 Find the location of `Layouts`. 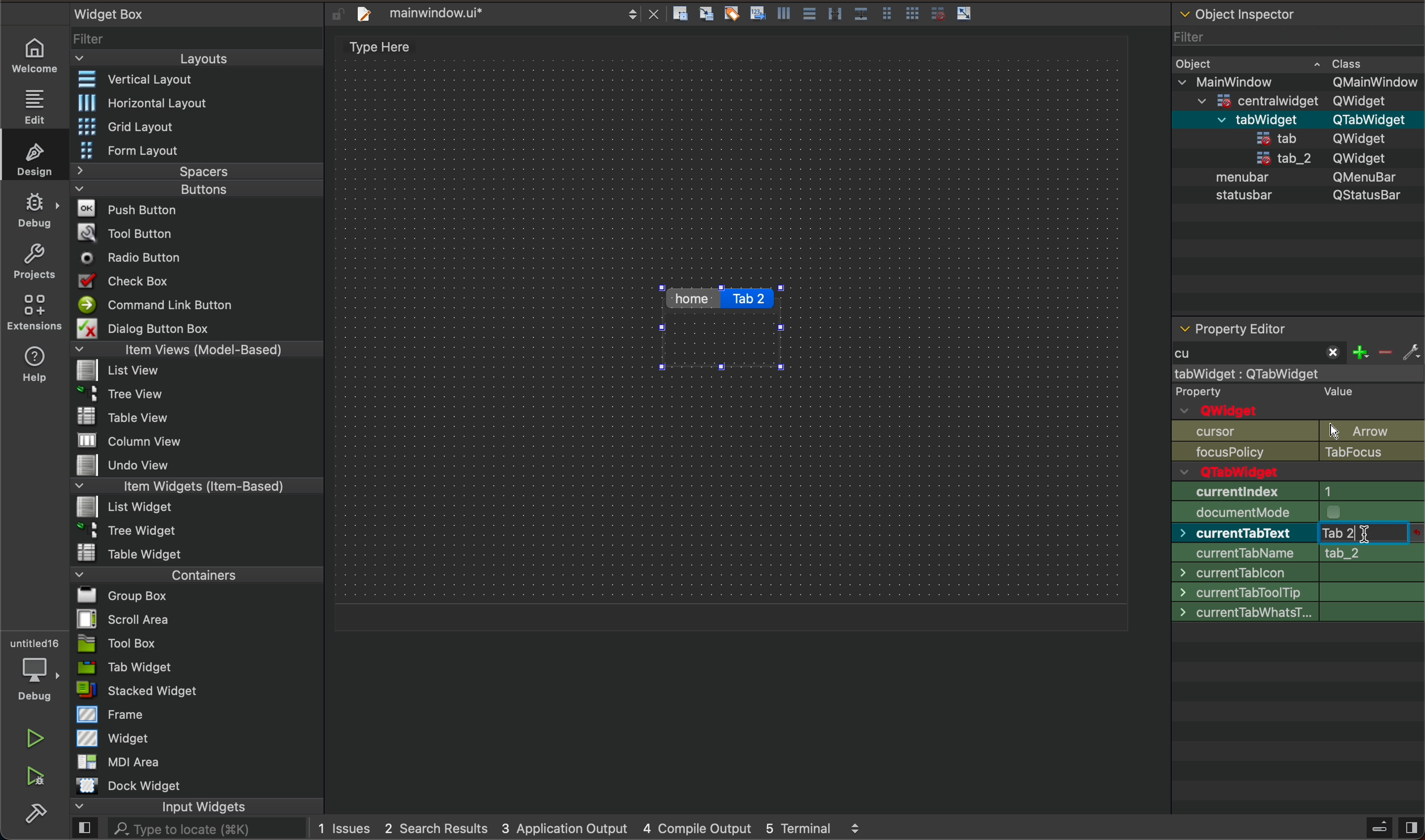

Layouts is located at coordinates (198, 58).